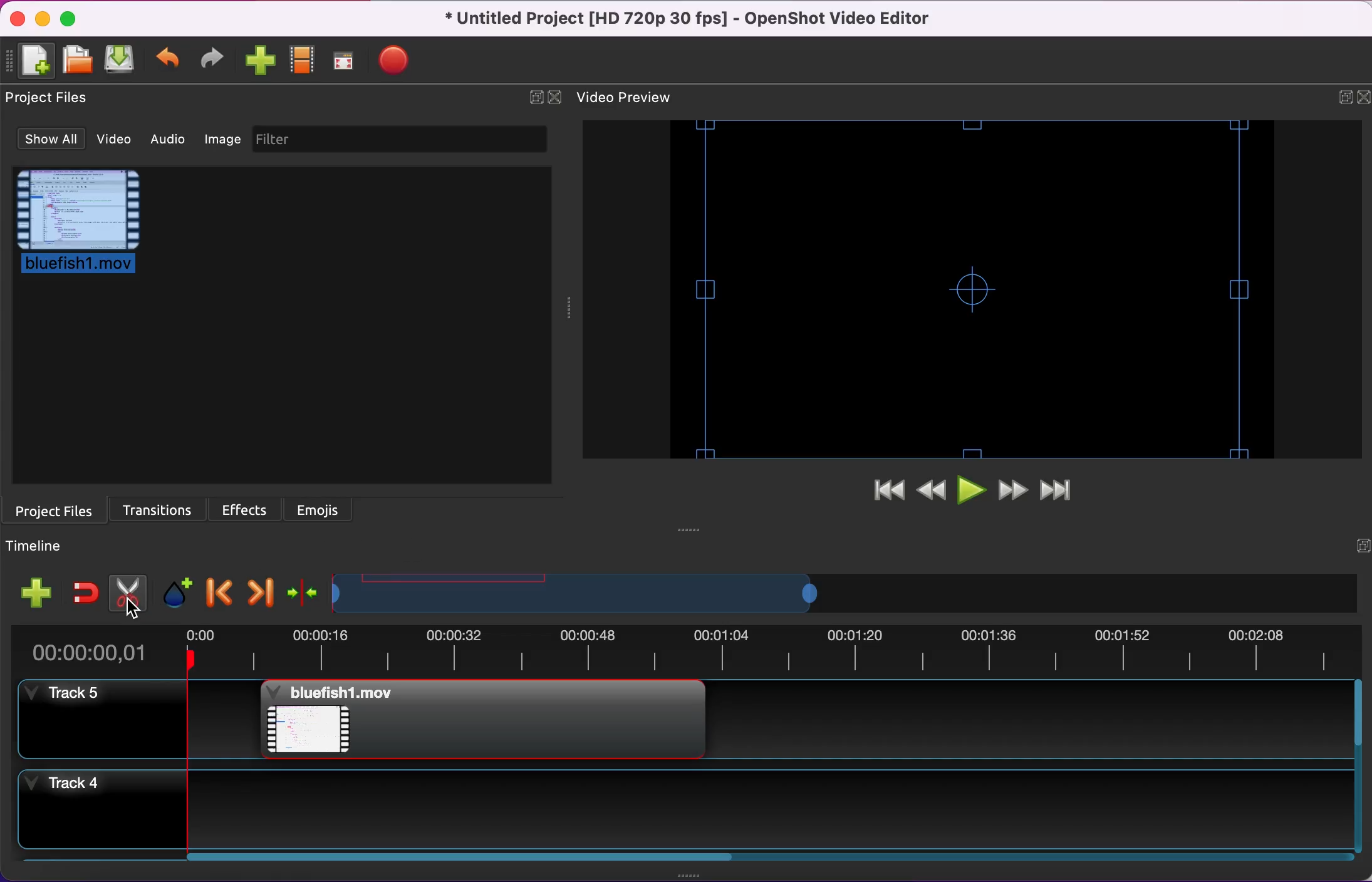  Describe the element at coordinates (79, 61) in the screenshot. I see `open project` at that location.